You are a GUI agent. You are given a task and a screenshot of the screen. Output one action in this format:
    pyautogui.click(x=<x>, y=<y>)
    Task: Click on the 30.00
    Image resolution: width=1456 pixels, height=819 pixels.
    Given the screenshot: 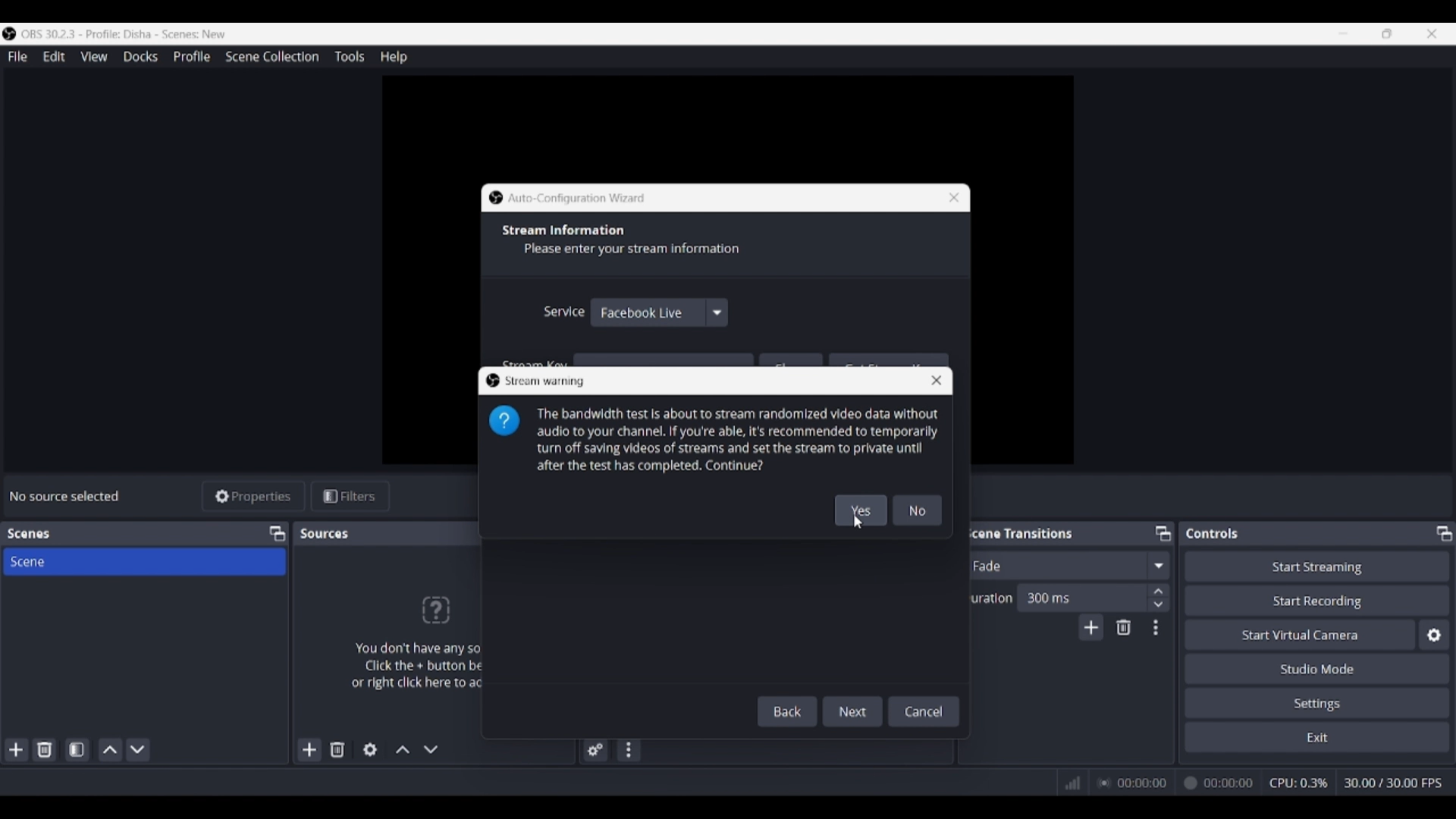 What is the action you would take?
    pyautogui.click(x=1394, y=782)
    